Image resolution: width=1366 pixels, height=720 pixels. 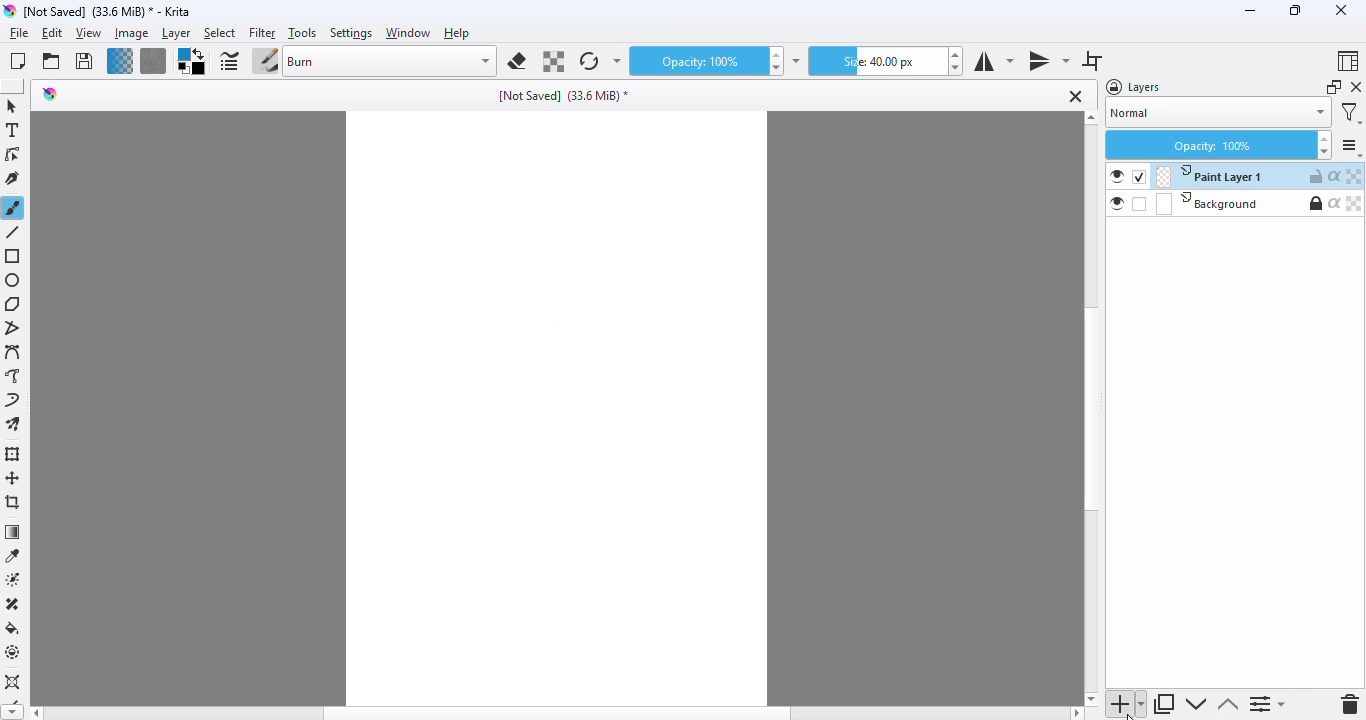 What do you see at coordinates (50, 93) in the screenshot?
I see `logo` at bounding box center [50, 93].